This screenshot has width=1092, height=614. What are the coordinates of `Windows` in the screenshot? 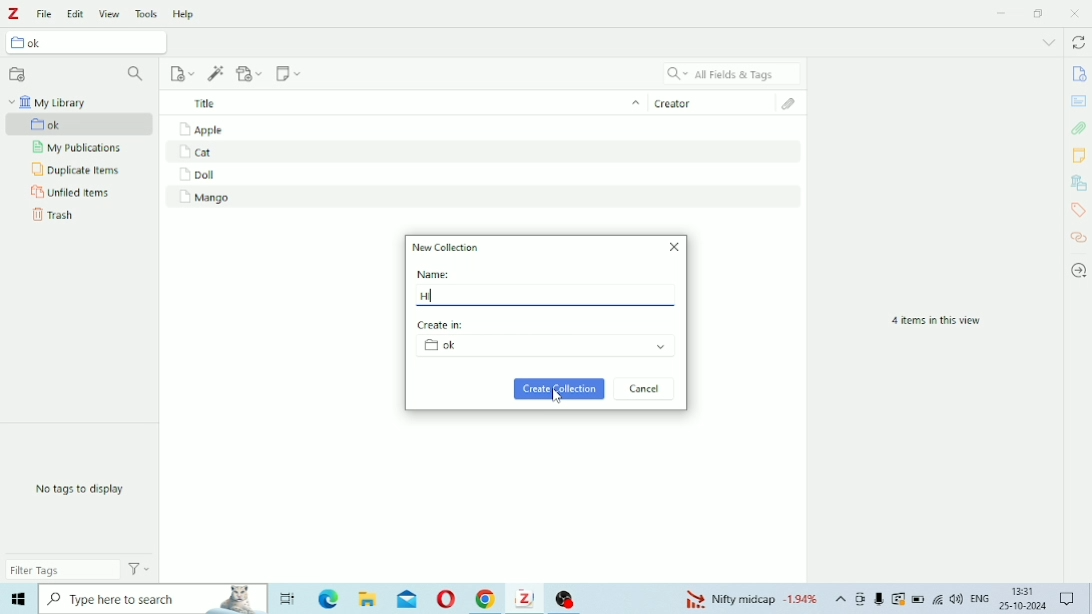 It's located at (18, 599).